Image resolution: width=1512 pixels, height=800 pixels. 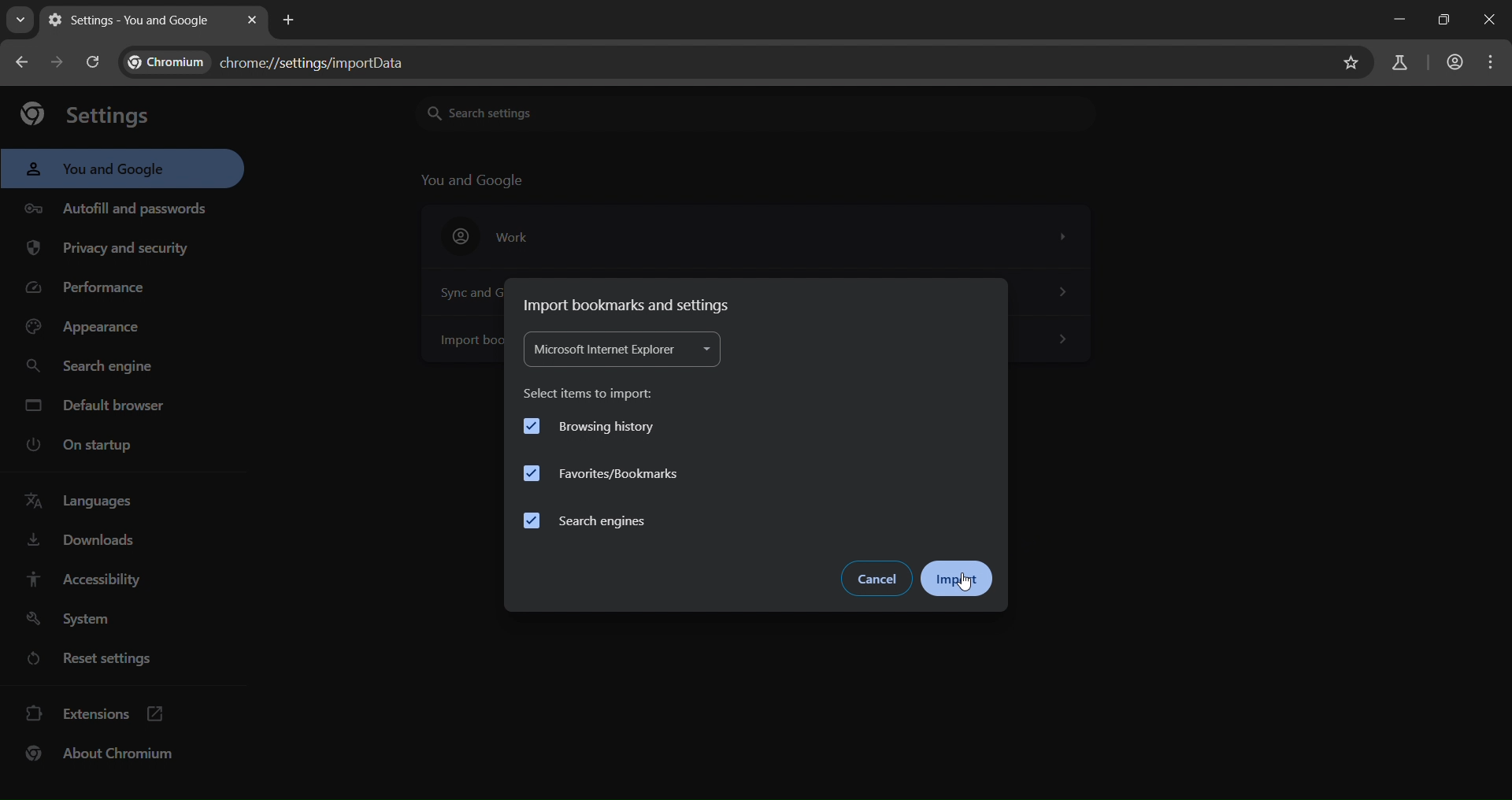 What do you see at coordinates (91, 115) in the screenshot?
I see `settings` at bounding box center [91, 115].